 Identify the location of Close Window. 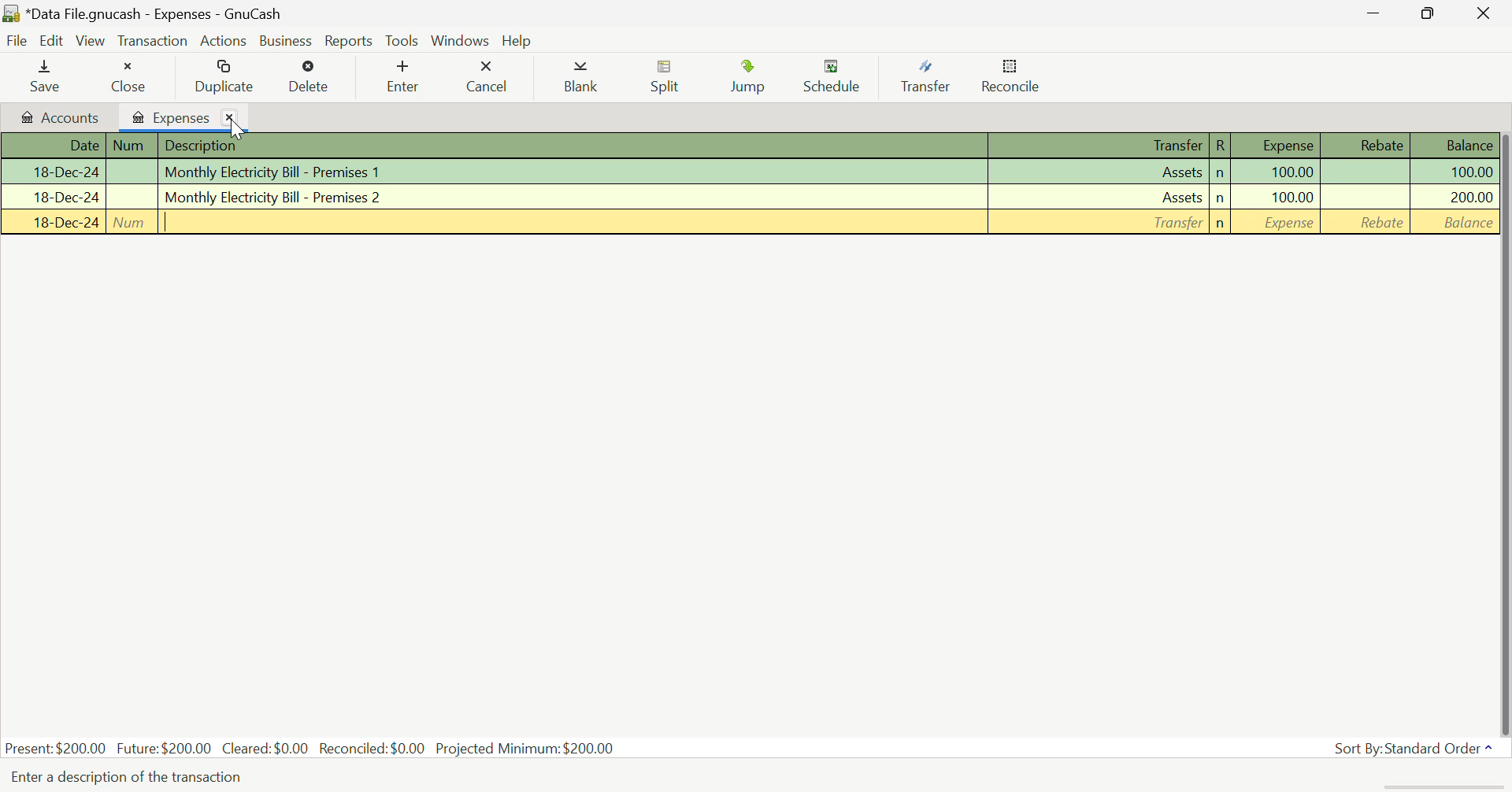
(1485, 13).